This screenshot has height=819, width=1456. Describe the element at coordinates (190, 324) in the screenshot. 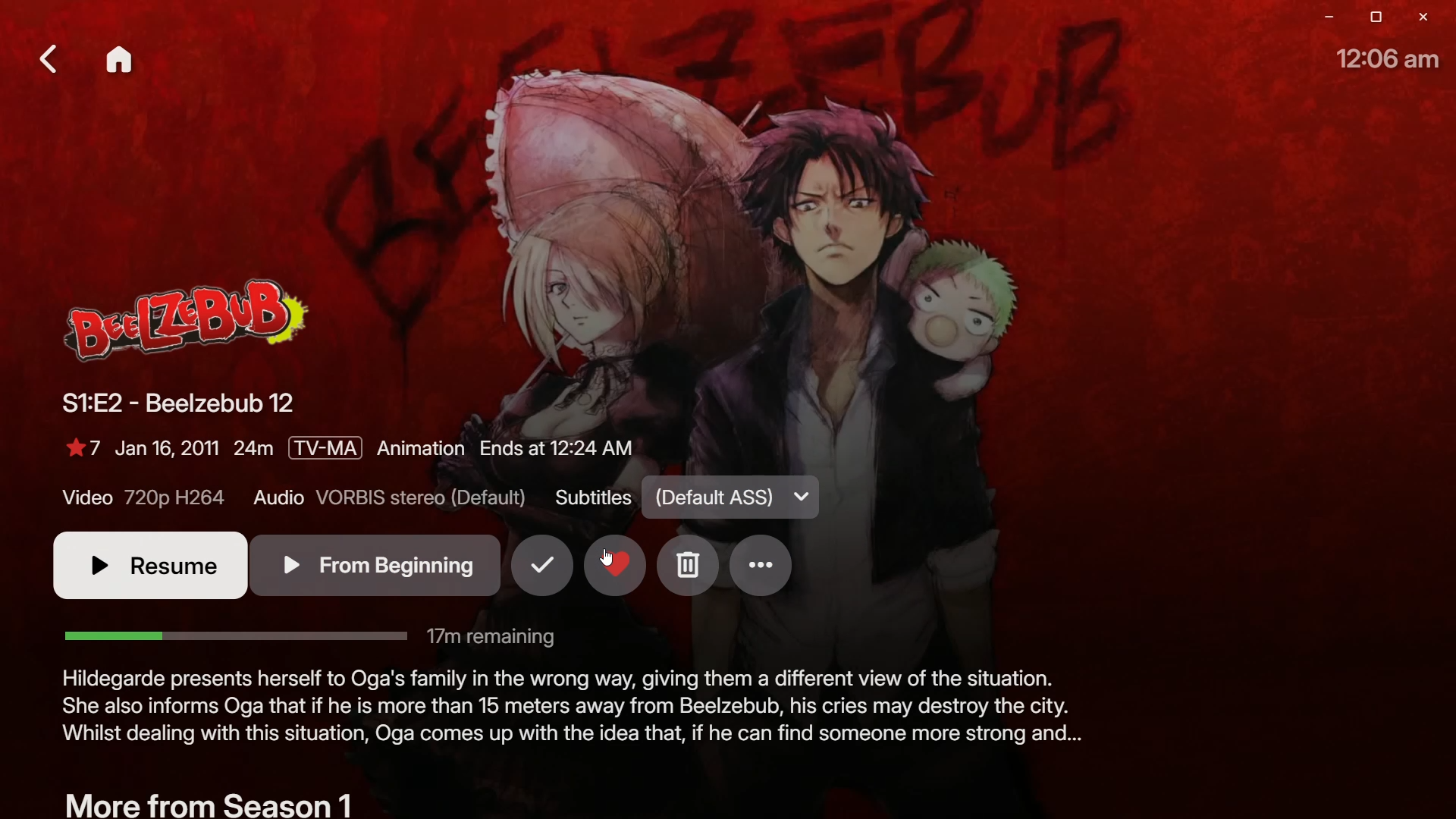

I see `Logo` at that location.